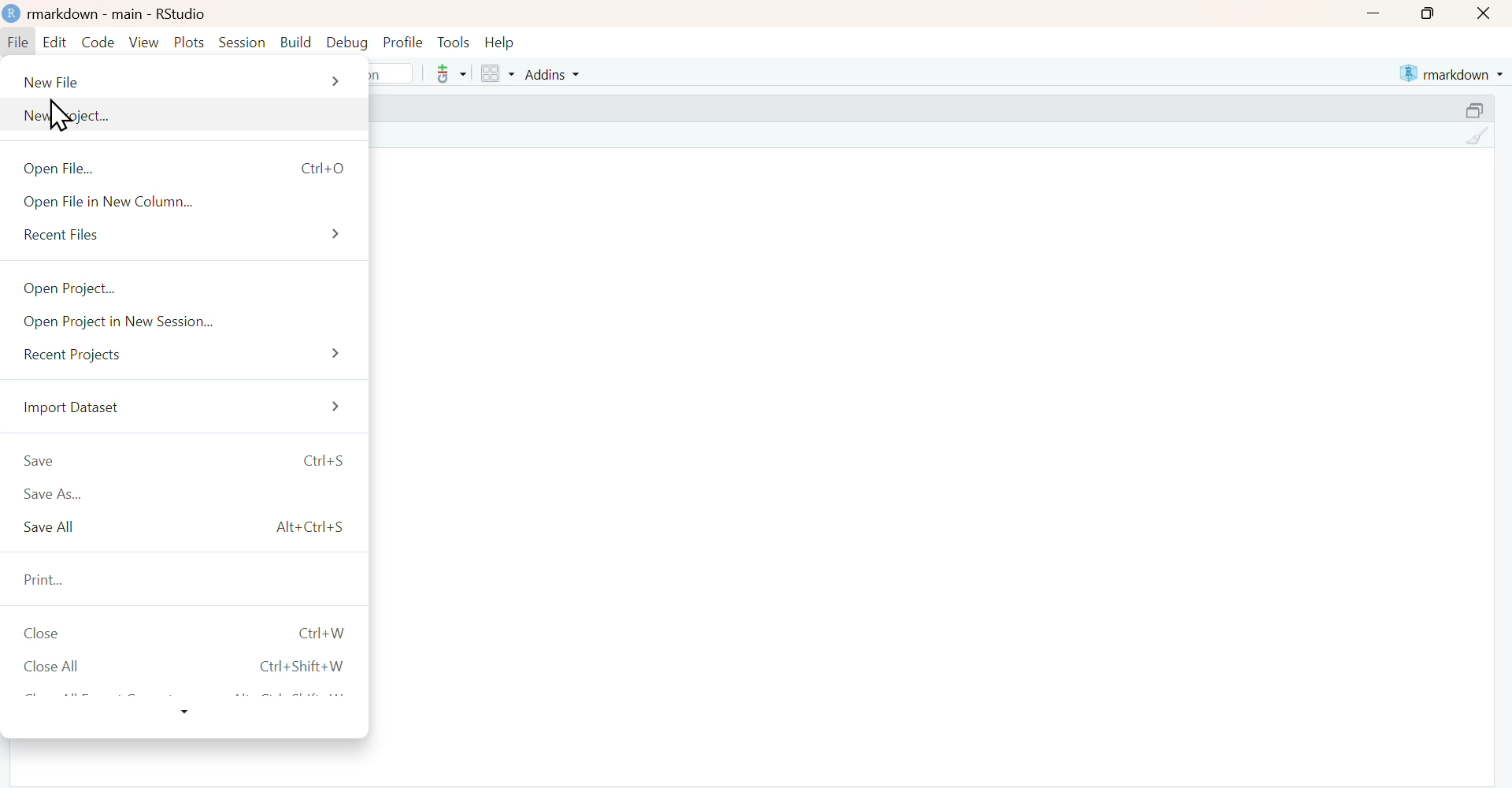  I want to click on save as, so click(191, 495).